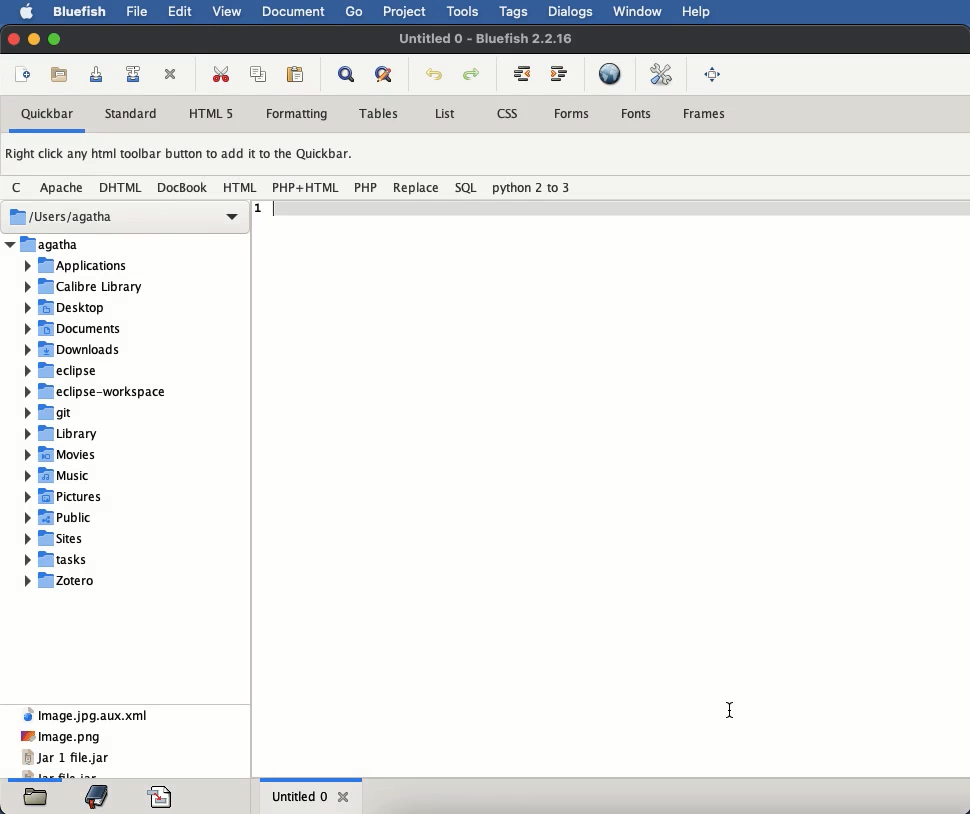 This screenshot has width=970, height=814. I want to click on right click any html toolbar, so click(181, 156).